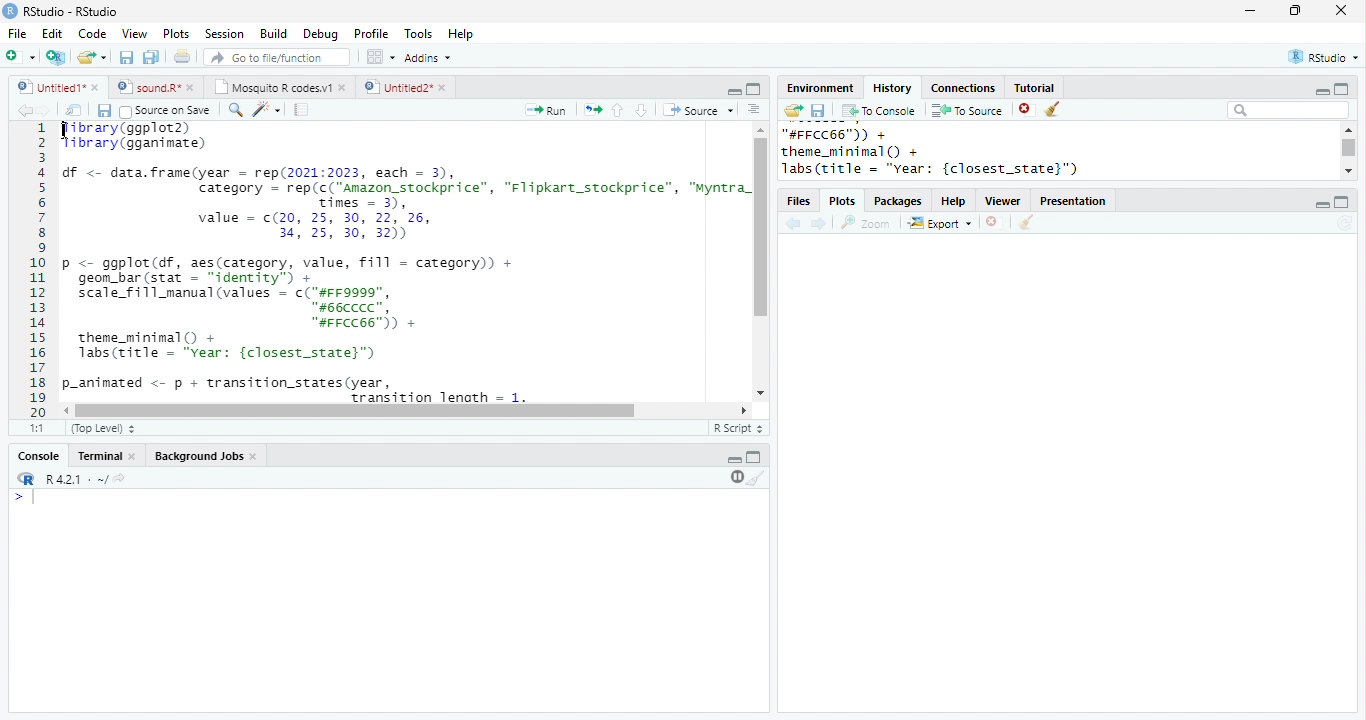 The image size is (1366, 720). Describe the element at coordinates (344, 89) in the screenshot. I see `close` at that location.